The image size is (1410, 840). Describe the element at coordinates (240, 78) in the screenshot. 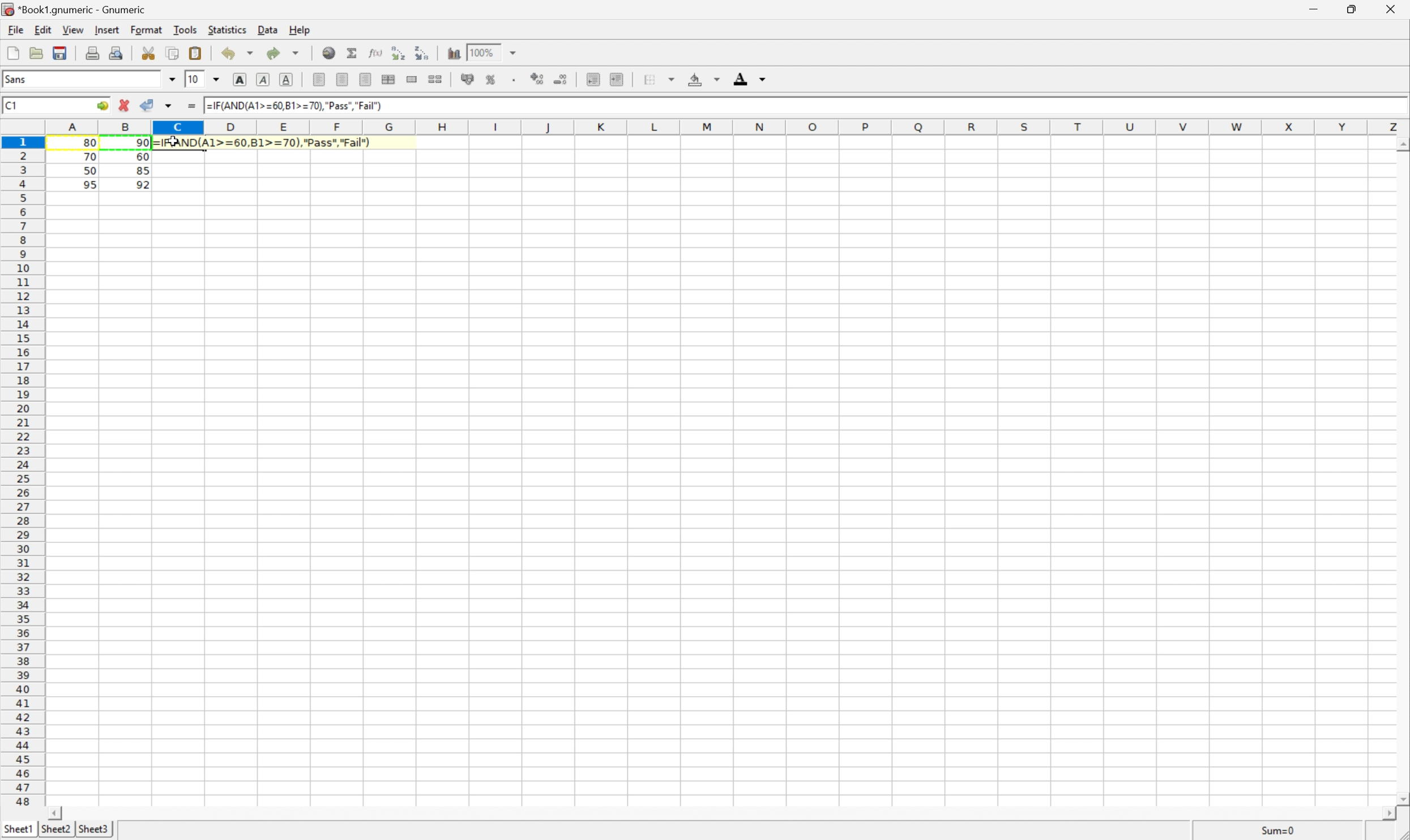

I see `Bold` at that location.